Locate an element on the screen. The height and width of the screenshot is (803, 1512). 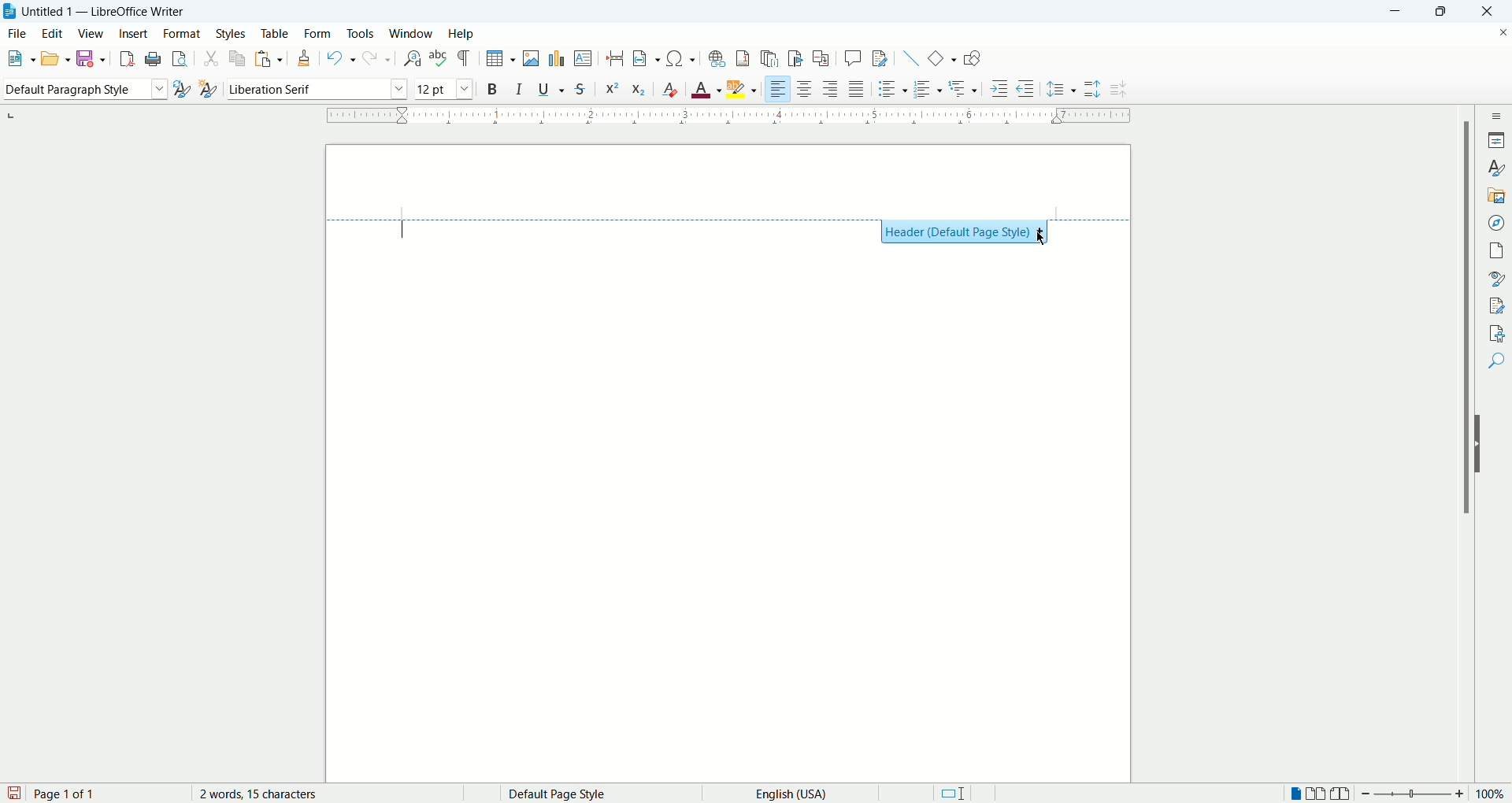
increase indent is located at coordinates (999, 89).